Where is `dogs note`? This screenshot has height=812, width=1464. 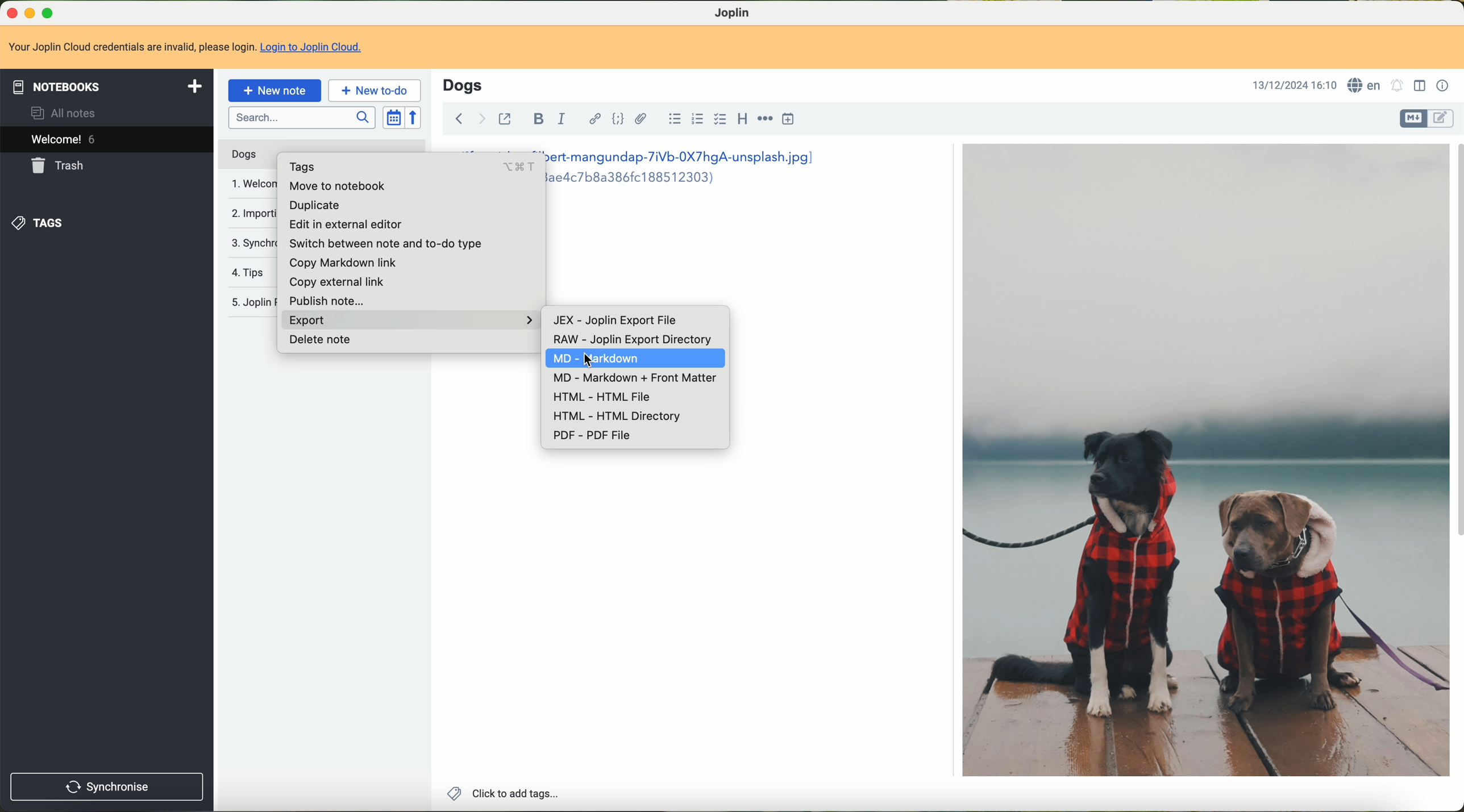 dogs note is located at coordinates (243, 155).